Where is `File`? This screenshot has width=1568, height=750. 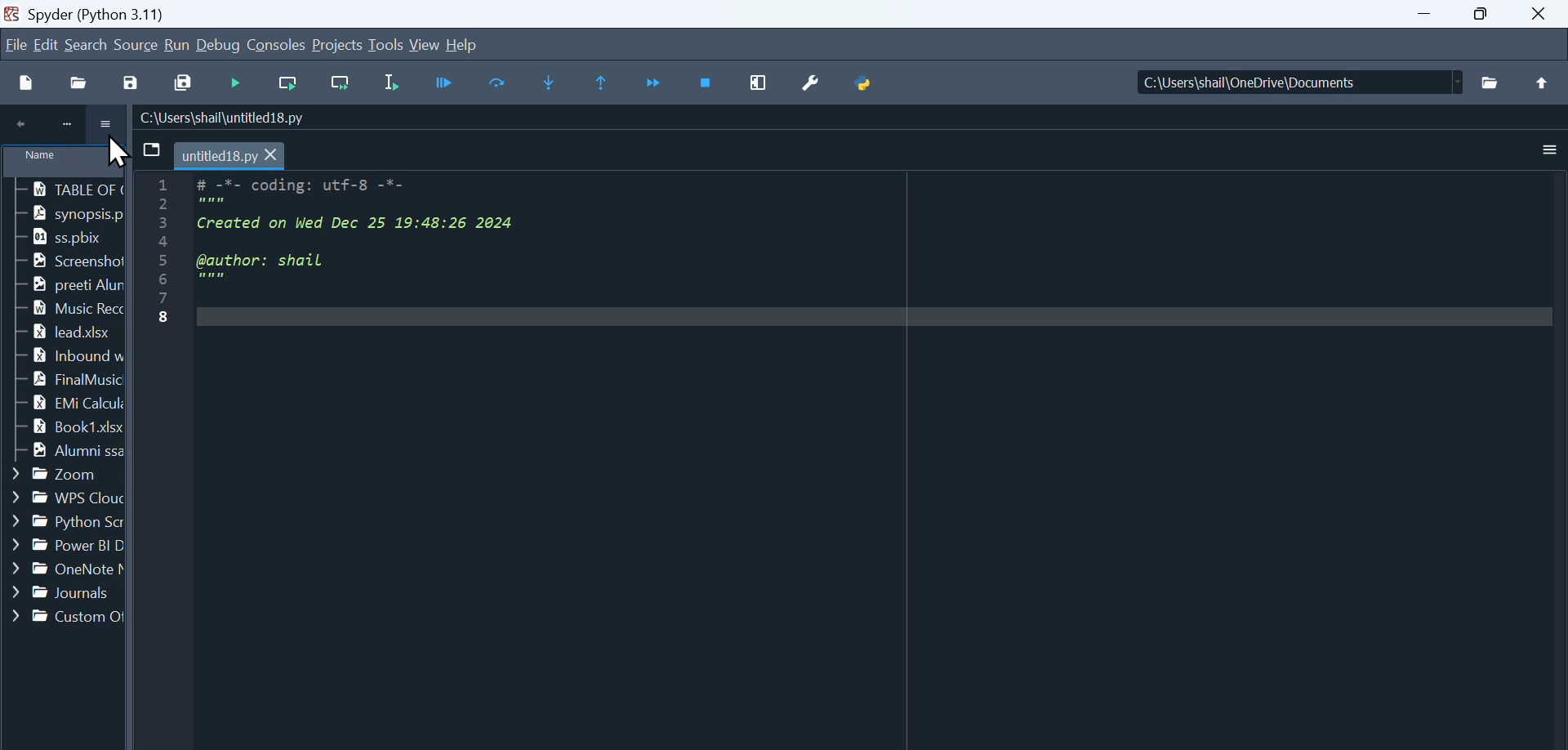 File is located at coordinates (16, 42).